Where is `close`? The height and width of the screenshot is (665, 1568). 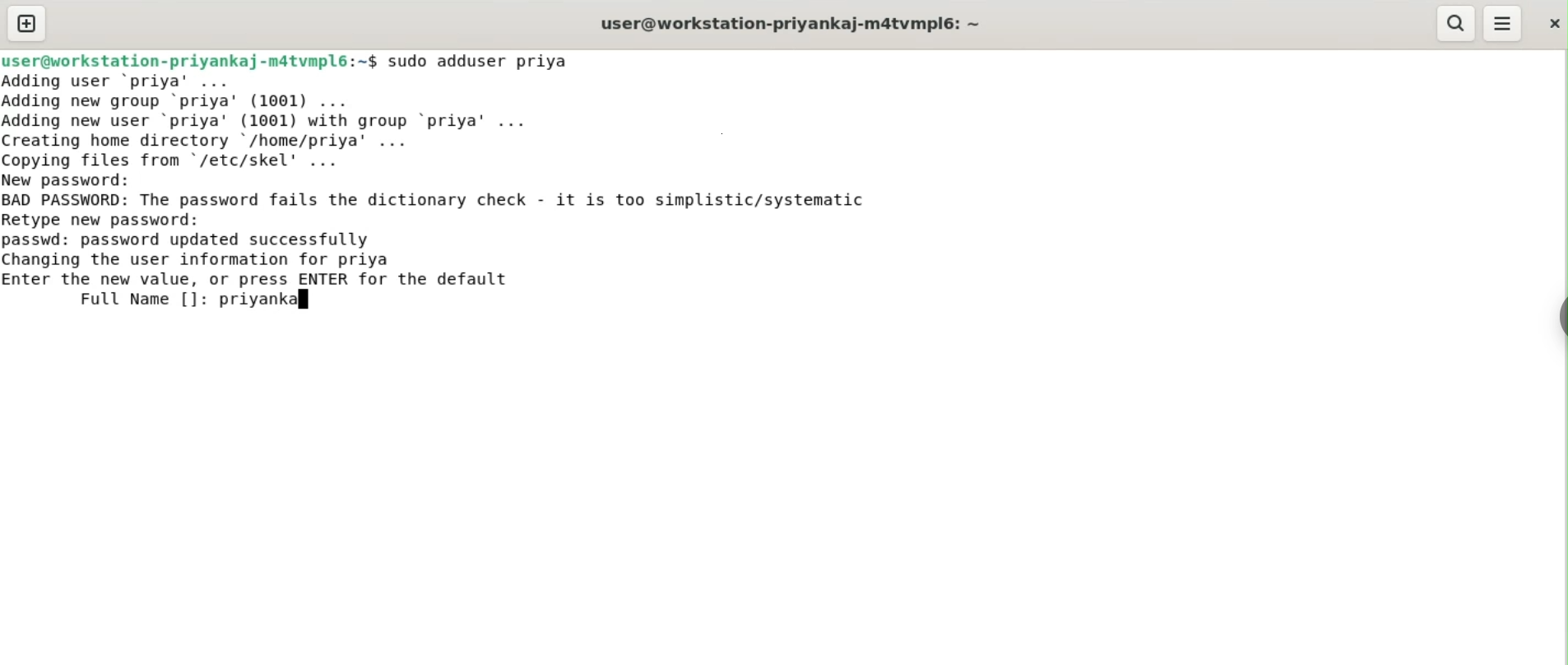
close is located at coordinates (1552, 23).